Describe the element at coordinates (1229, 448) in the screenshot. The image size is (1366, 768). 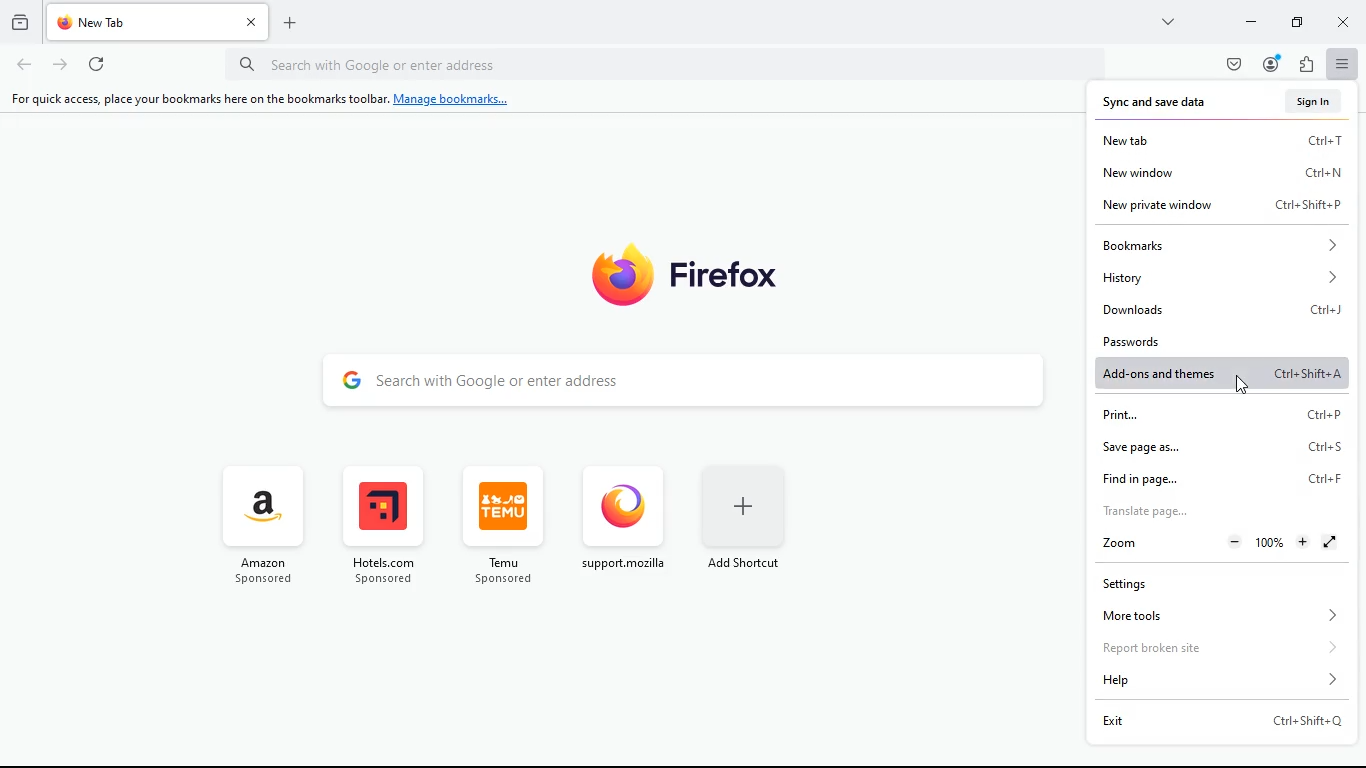
I see `save page as   ctrl+s` at that location.